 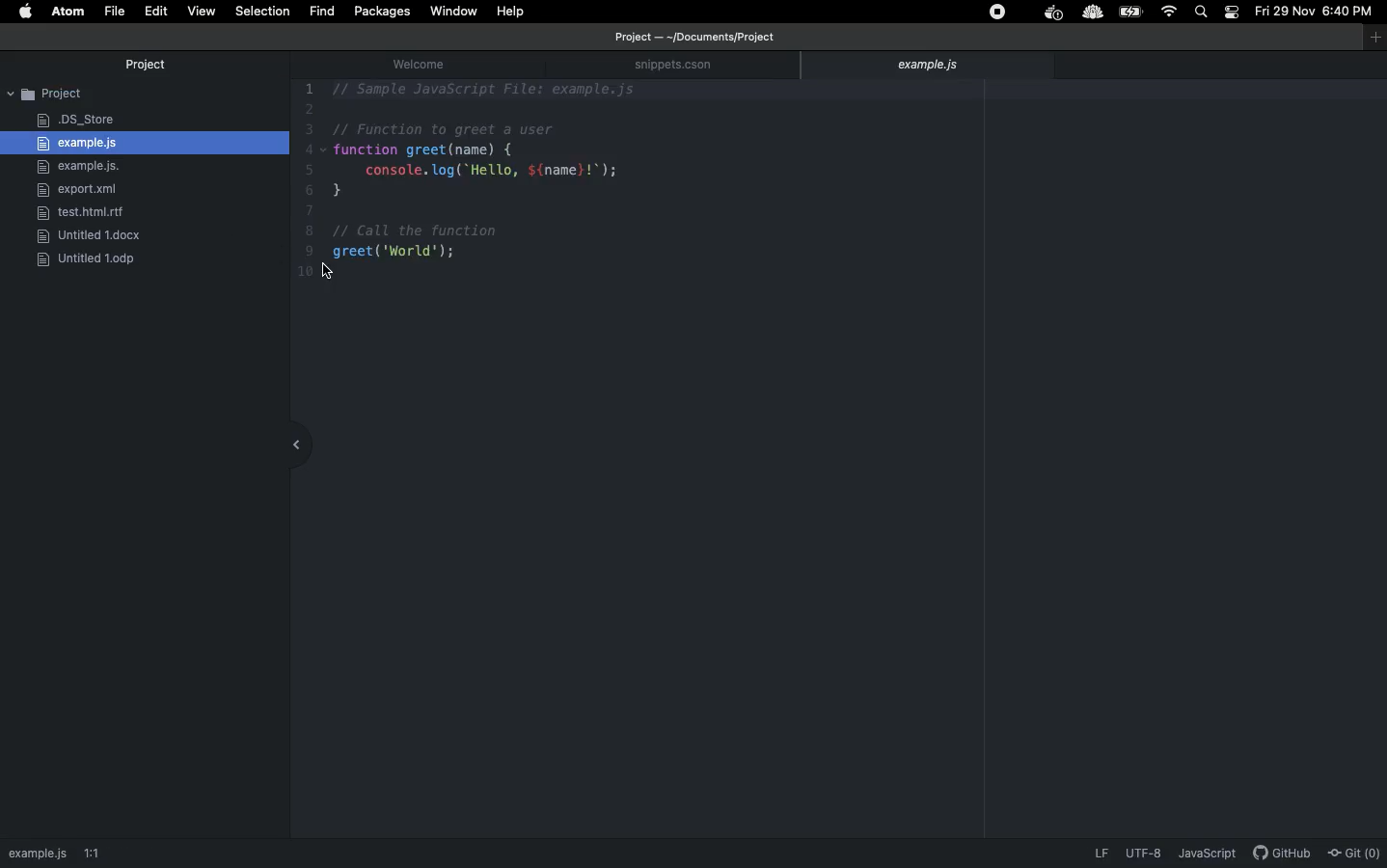 I want to click on Date, so click(x=1285, y=12).